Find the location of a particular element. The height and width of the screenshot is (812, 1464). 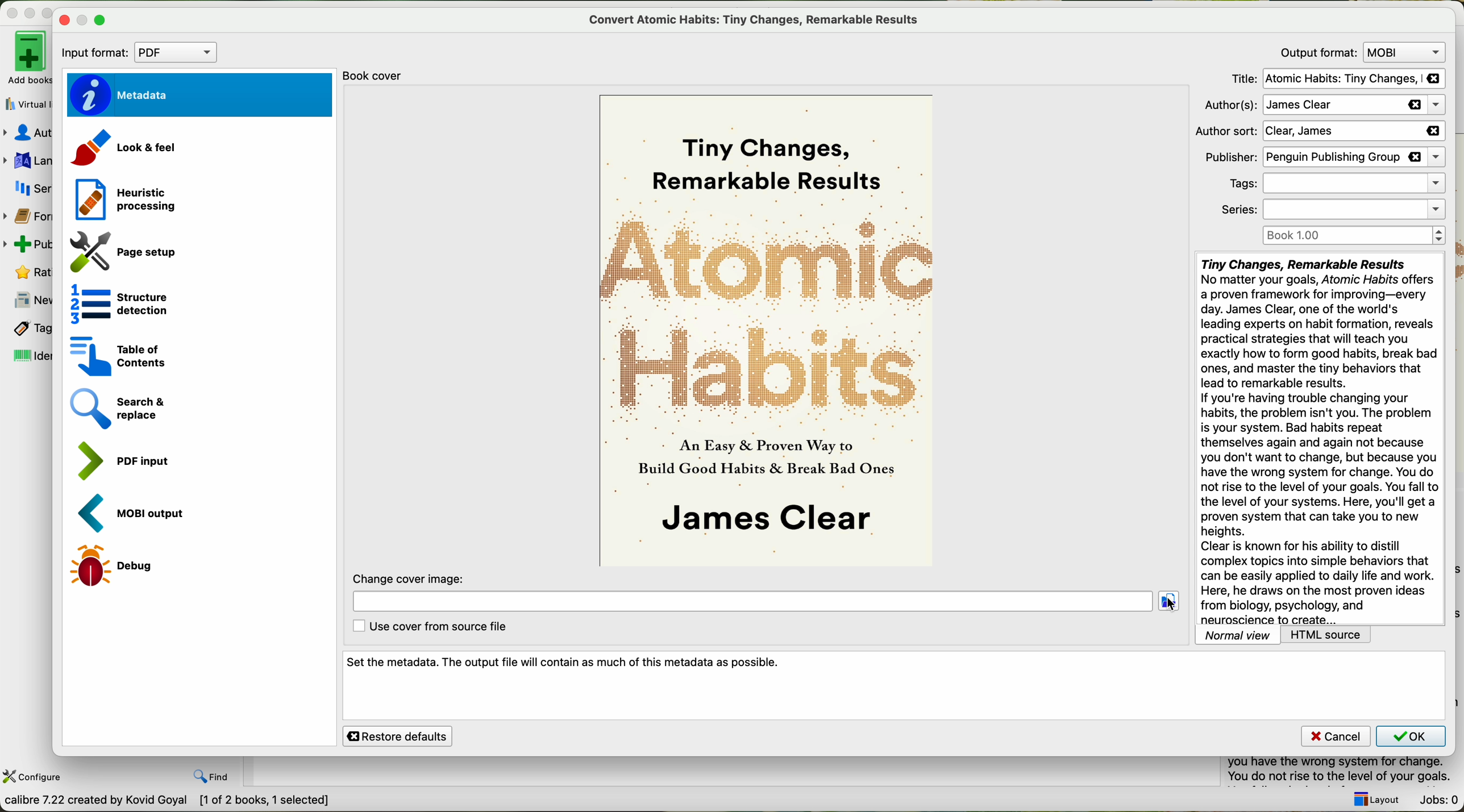

debug is located at coordinates (118, 565).